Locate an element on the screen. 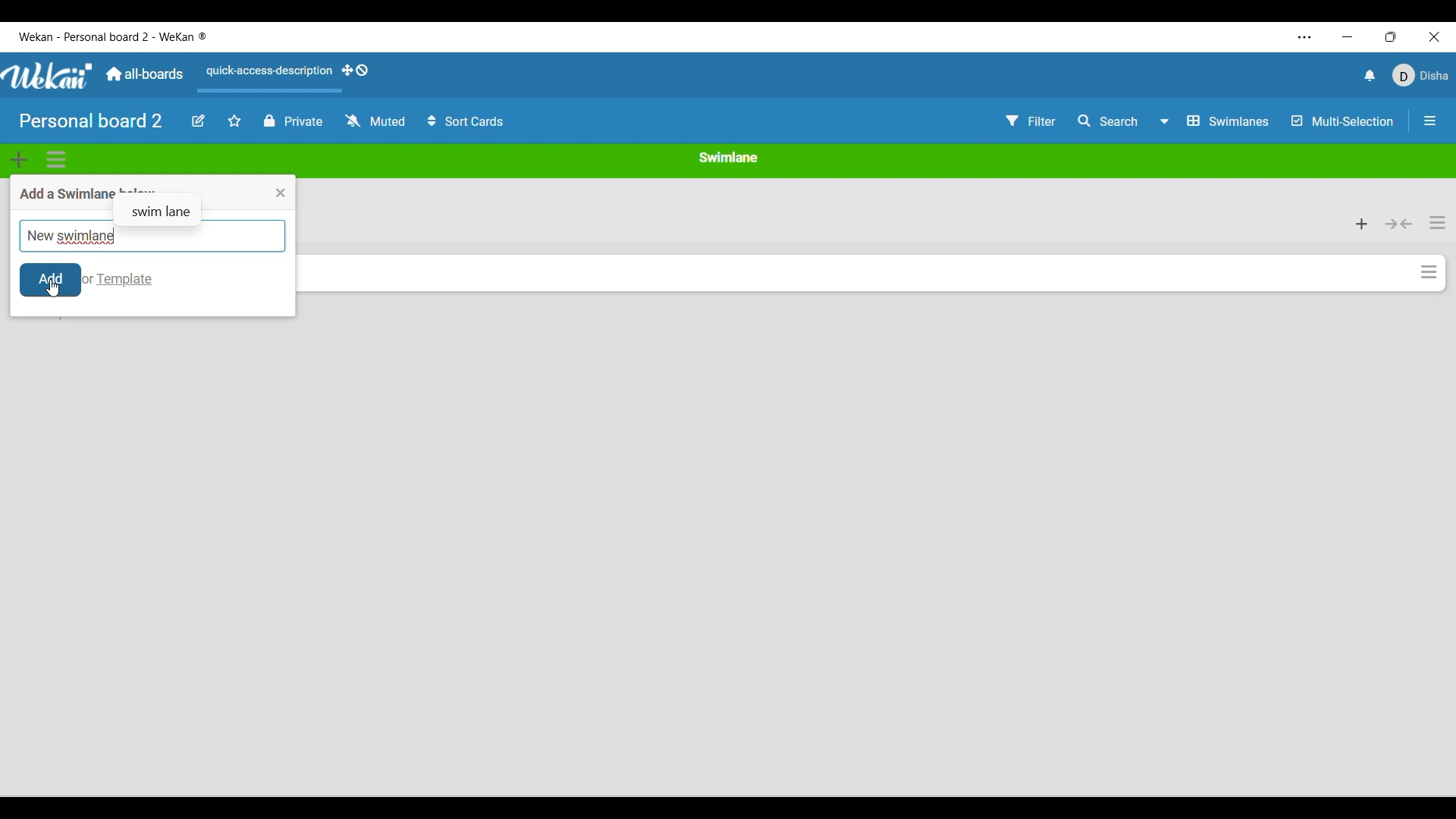  Card options is located at coordinates (1429, 272).